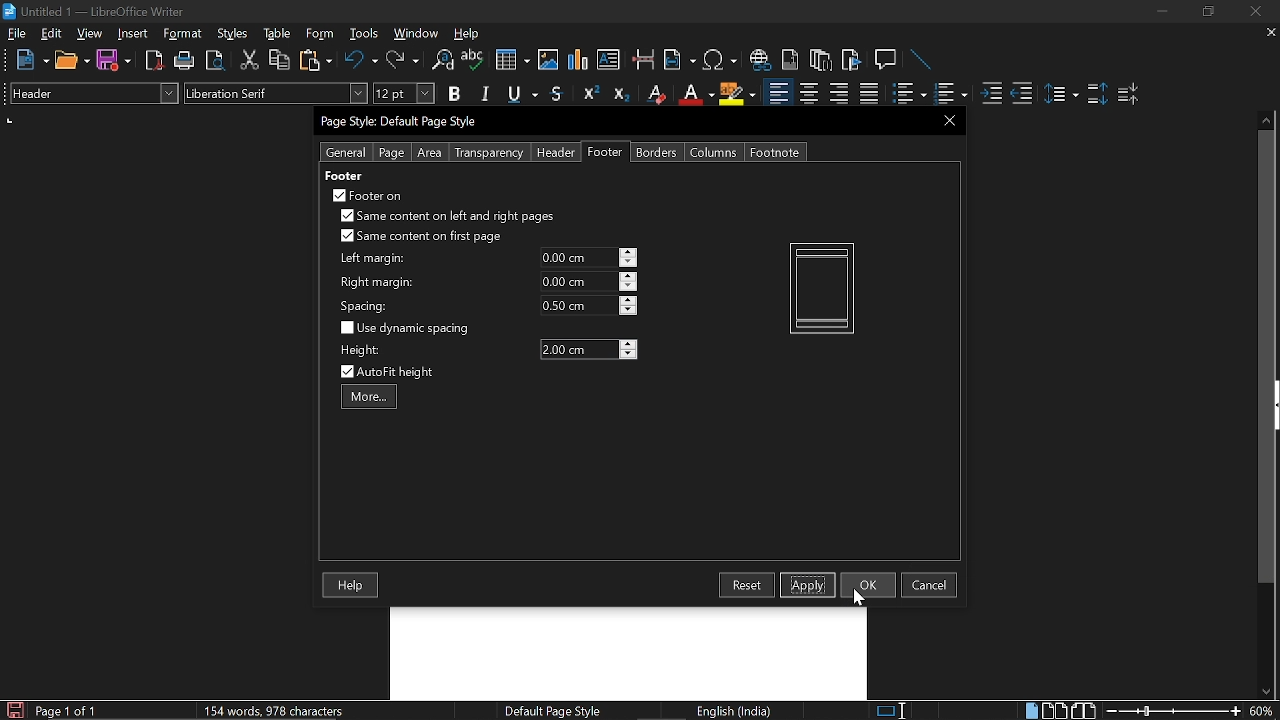 Image resolution: width=1280 pixels, height=720 pixels. Describe the element at coordinates (629, 276) in the screenshot. I see `increase right margin` at that location.